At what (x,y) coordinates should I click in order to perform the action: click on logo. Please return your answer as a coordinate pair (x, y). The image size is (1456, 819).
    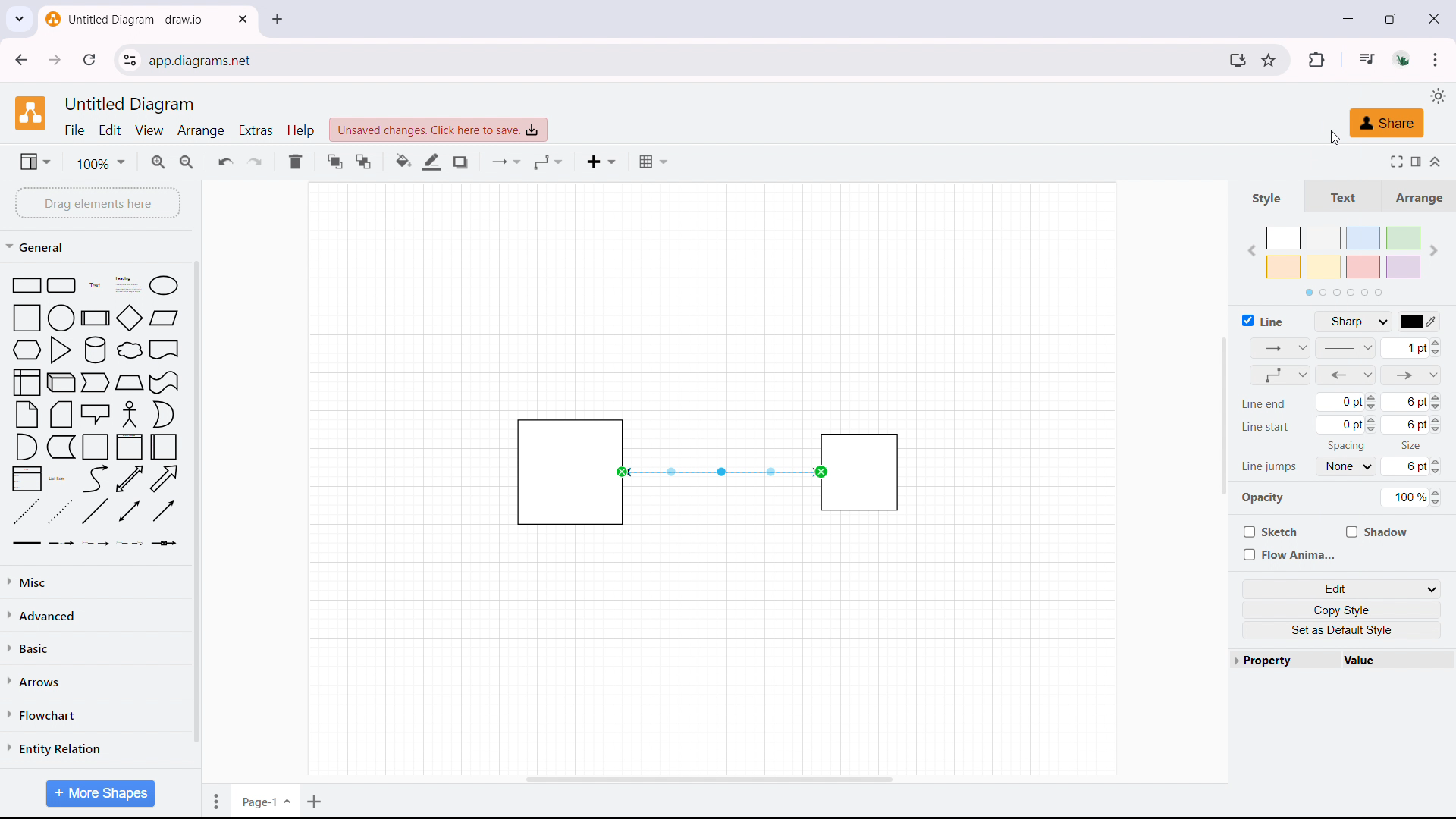
    Looking at the image, I should click on (29, 112).